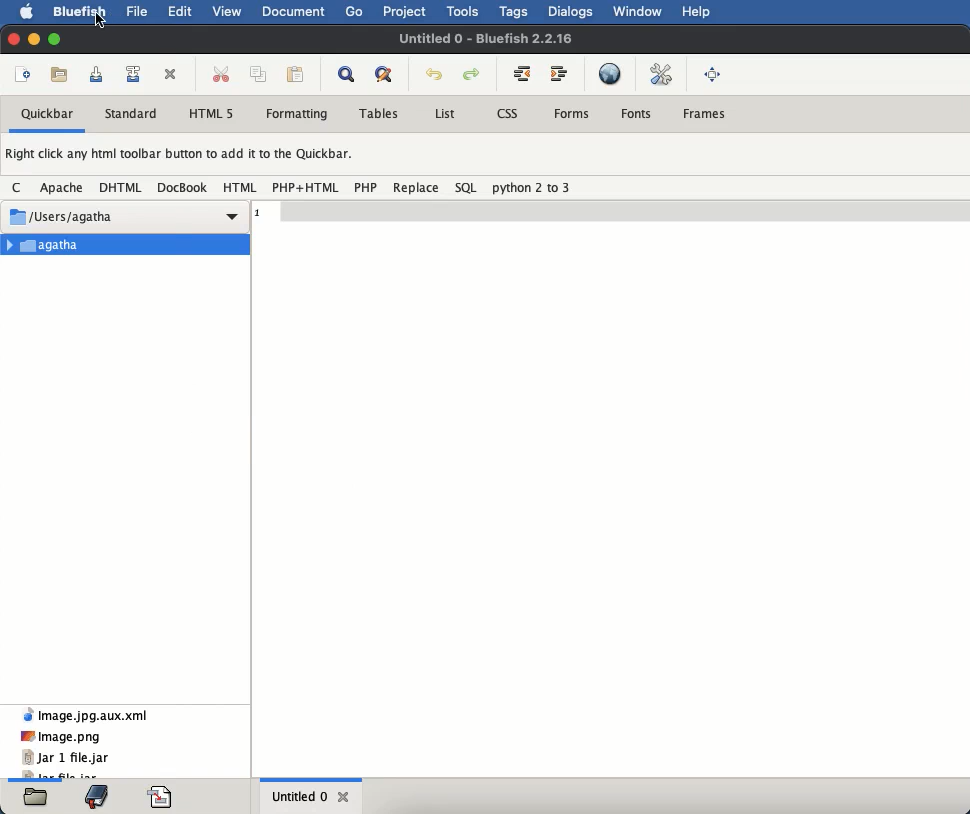 The height and width of the screenshot is (814, 970). What do you see at coordinates (162, 797) in the screenshot?
I see `code` at bounding box center [162, 797].